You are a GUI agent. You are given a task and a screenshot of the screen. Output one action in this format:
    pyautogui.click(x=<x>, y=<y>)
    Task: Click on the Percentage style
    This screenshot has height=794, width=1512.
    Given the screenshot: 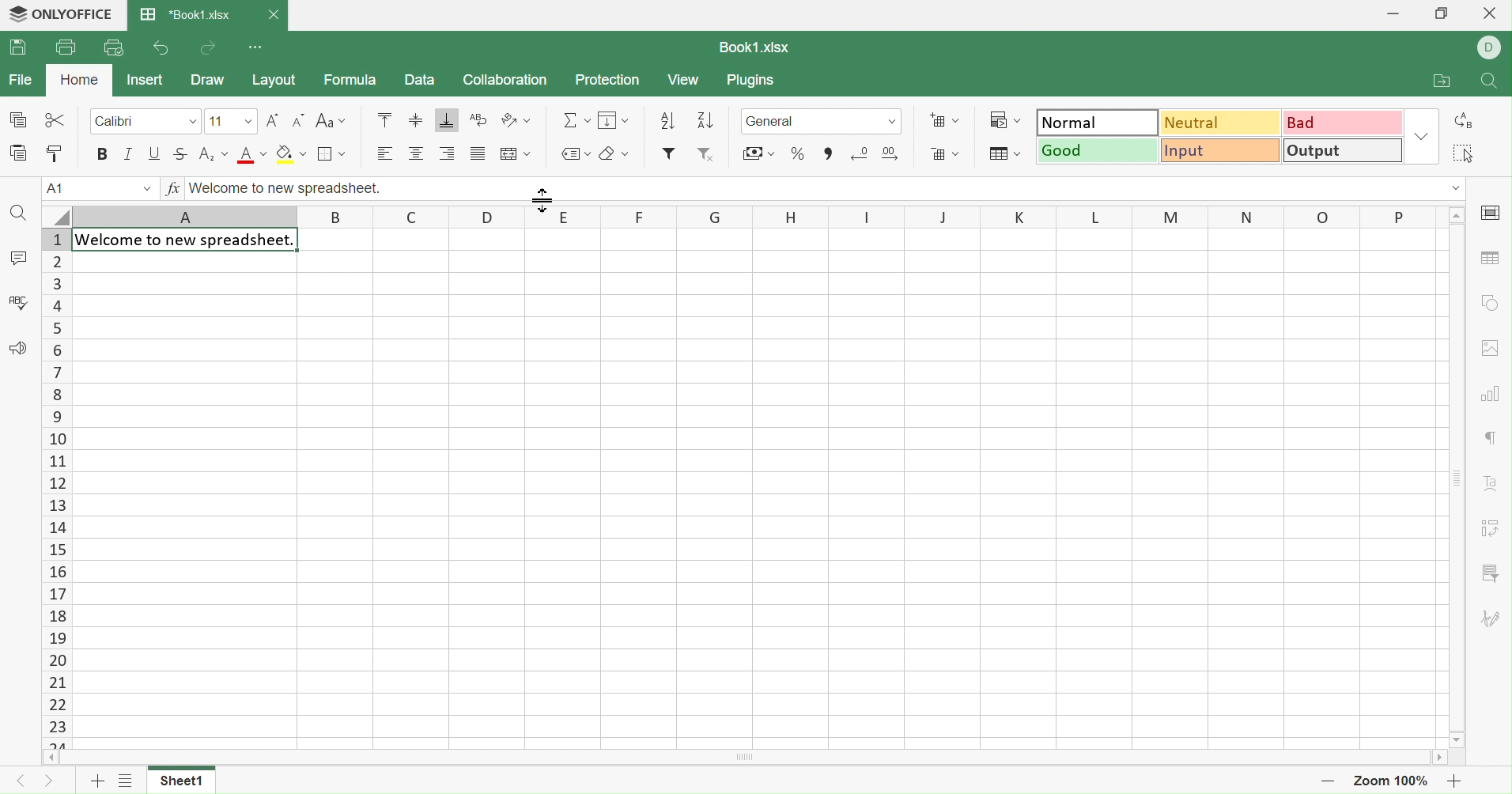 What is the action you would take?
    pyautogui.click(x=798, y=153)
    